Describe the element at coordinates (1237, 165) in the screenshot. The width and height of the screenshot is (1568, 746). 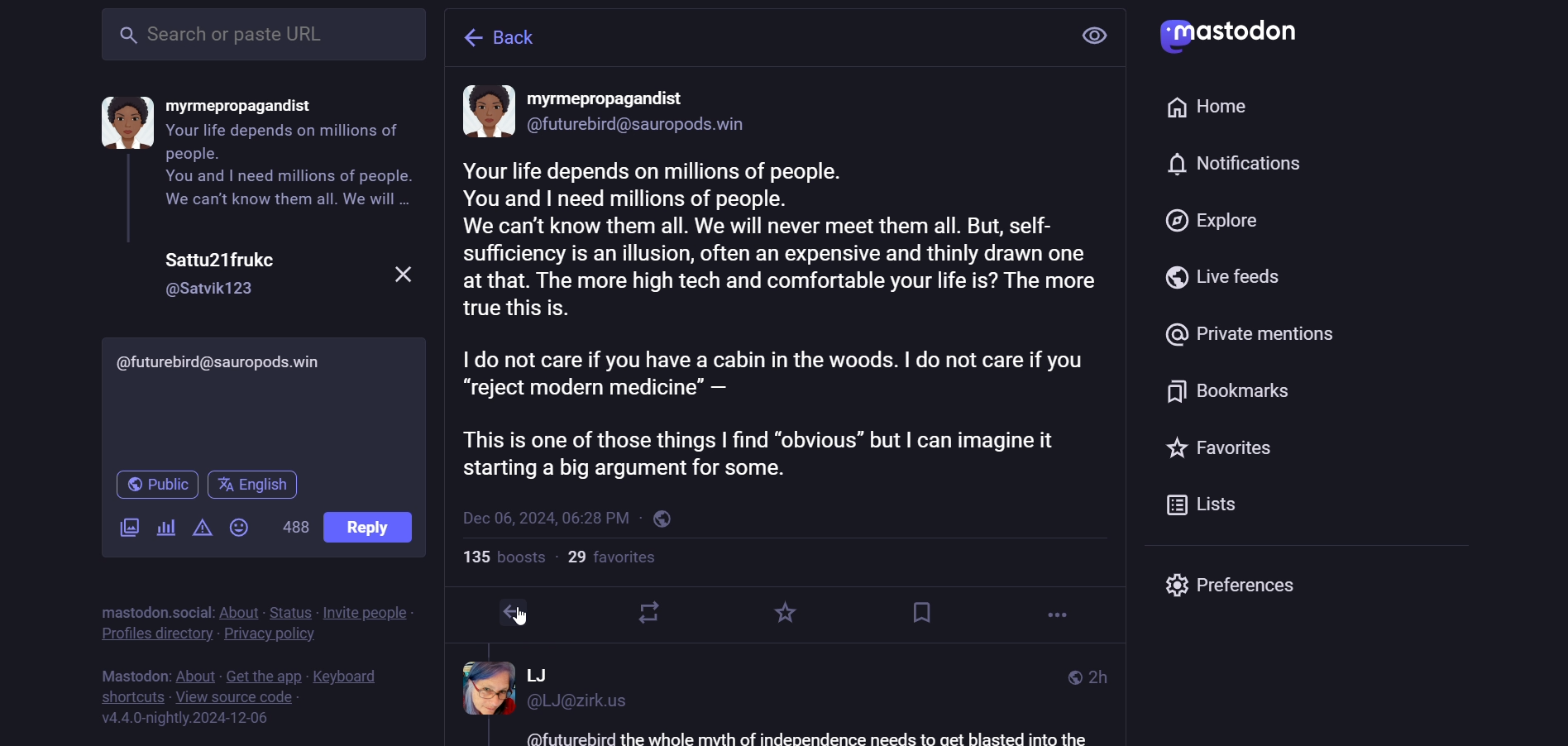
I see `notification` at that location.